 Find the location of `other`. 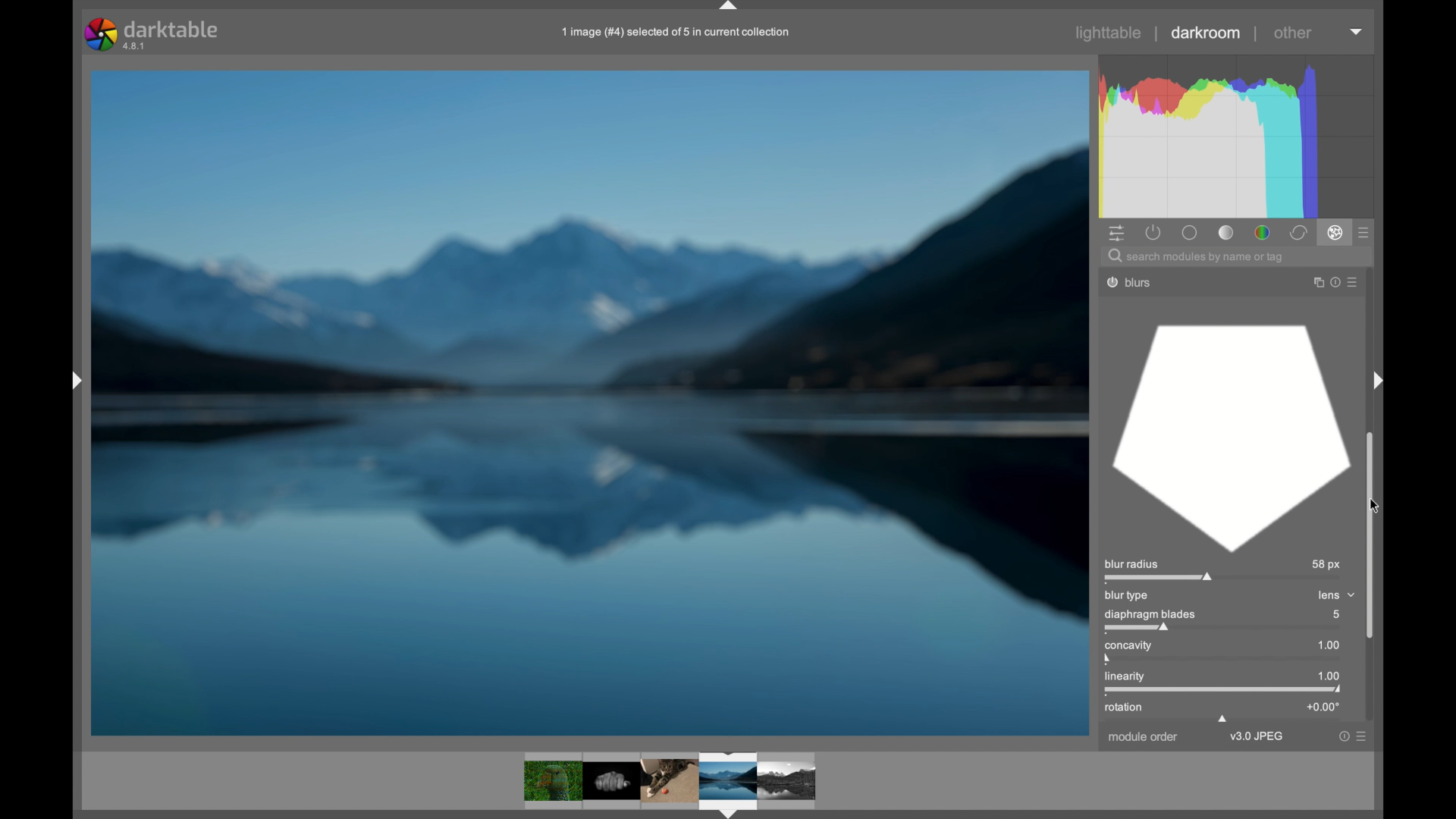

other is located at coordinates (1293, 33).